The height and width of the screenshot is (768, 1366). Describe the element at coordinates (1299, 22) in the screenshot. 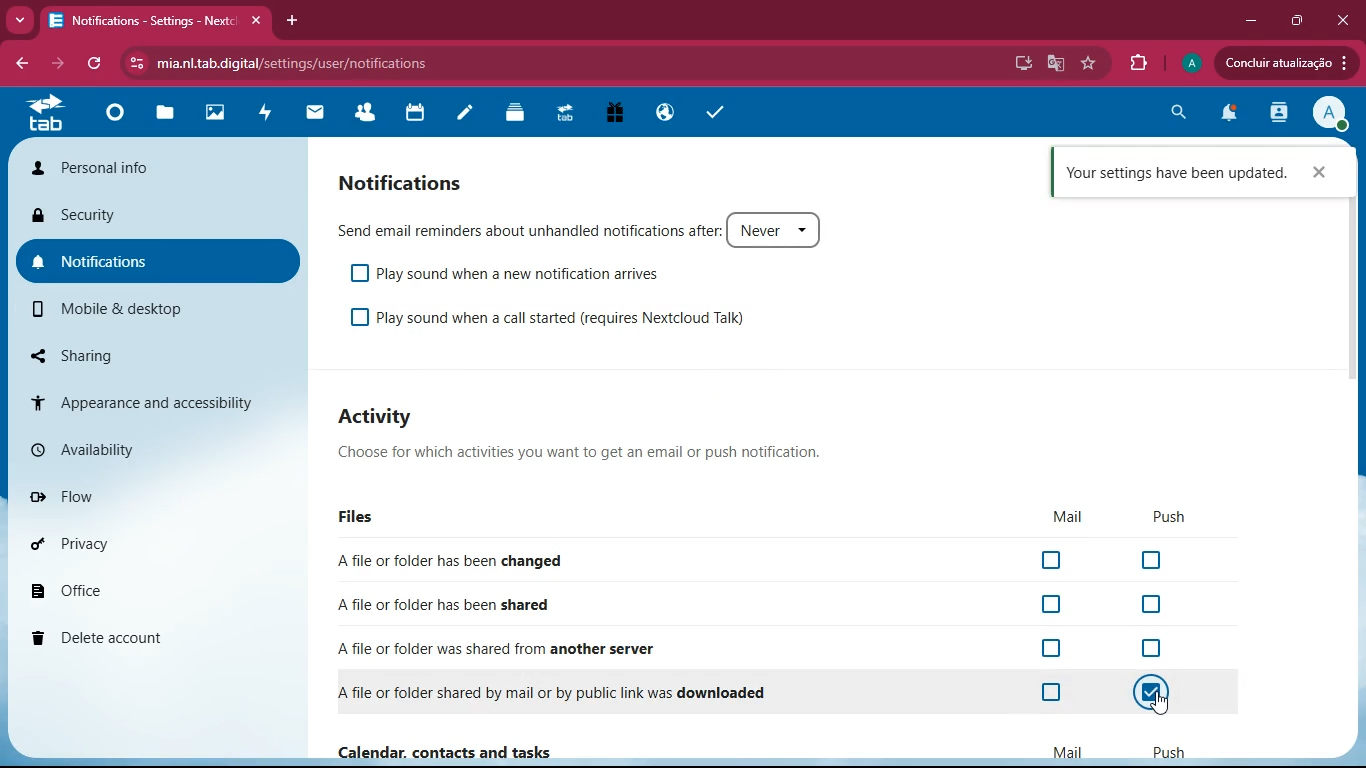

I see `maximize` at that location.